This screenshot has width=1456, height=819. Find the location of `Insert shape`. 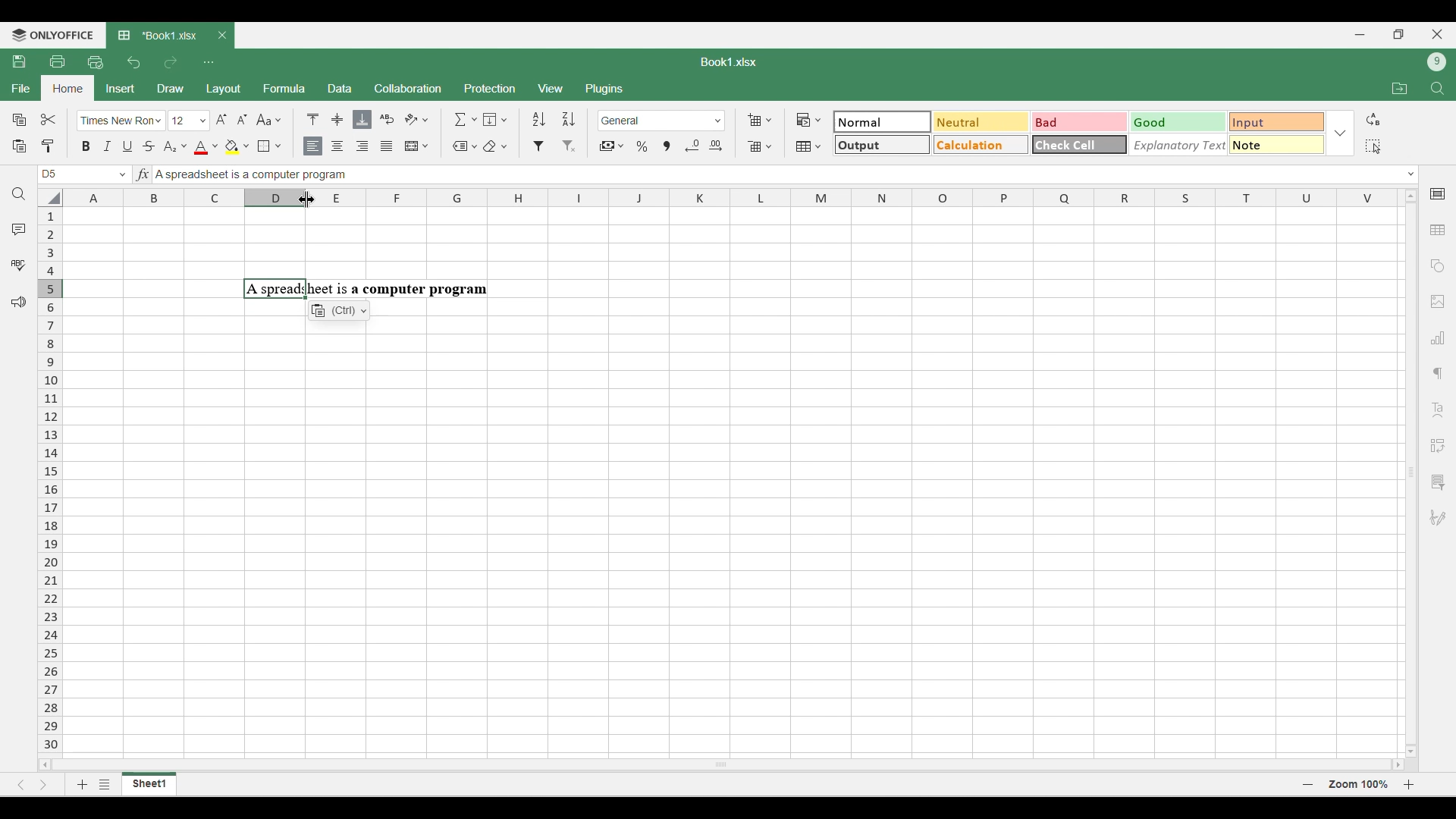

Insert shape is located at coordinates (1436, 266).